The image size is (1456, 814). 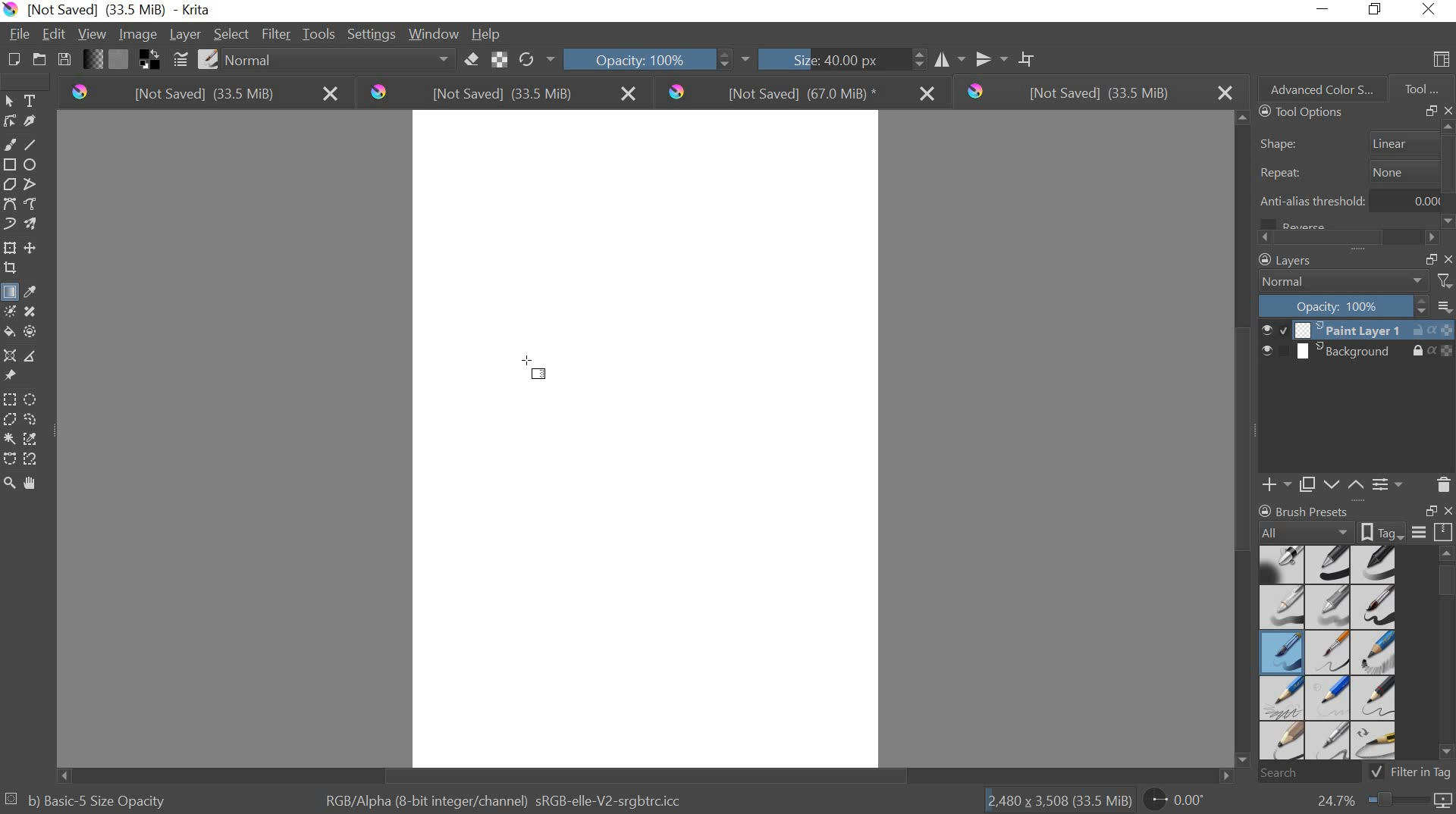 What do you see at coordinates (12, 205) in the screenshot?
I see `bezier curve` at bounding box center [12, 205].